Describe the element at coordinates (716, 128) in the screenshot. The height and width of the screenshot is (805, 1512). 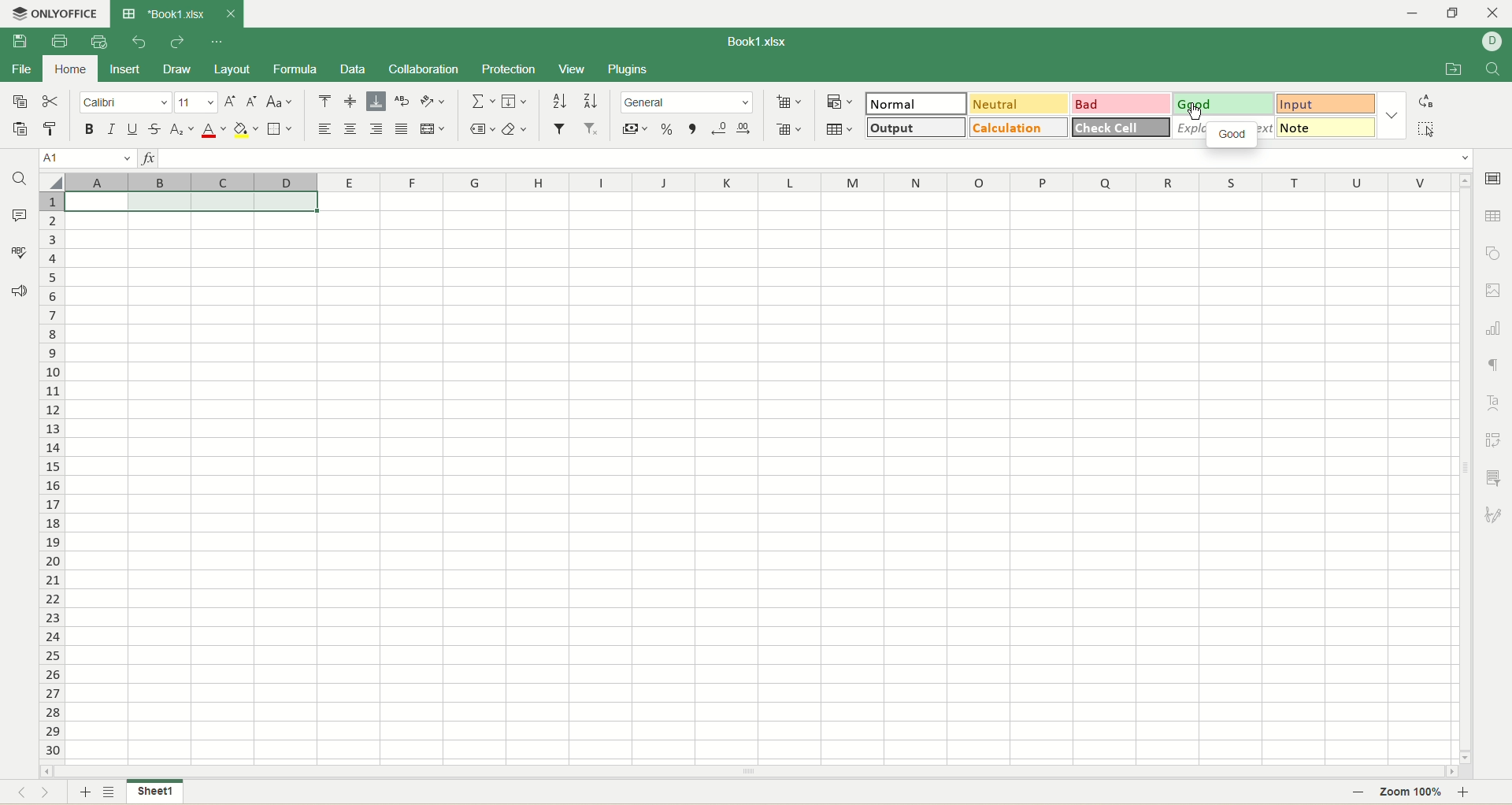
I see `decrease decimal` at that location.